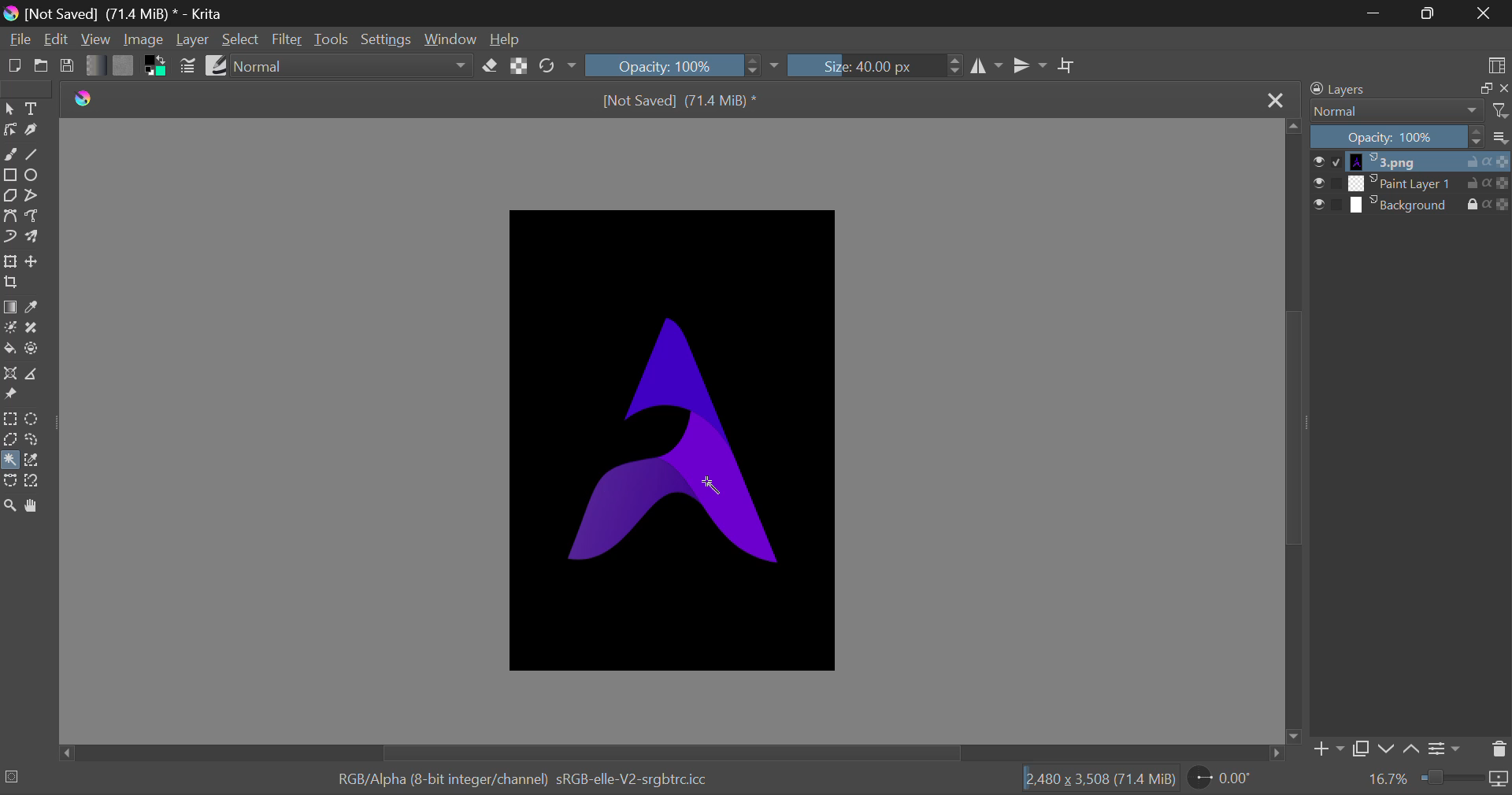 This screenshot has height=795, width=1512. I want to click on Freehand, so click(10, 152).